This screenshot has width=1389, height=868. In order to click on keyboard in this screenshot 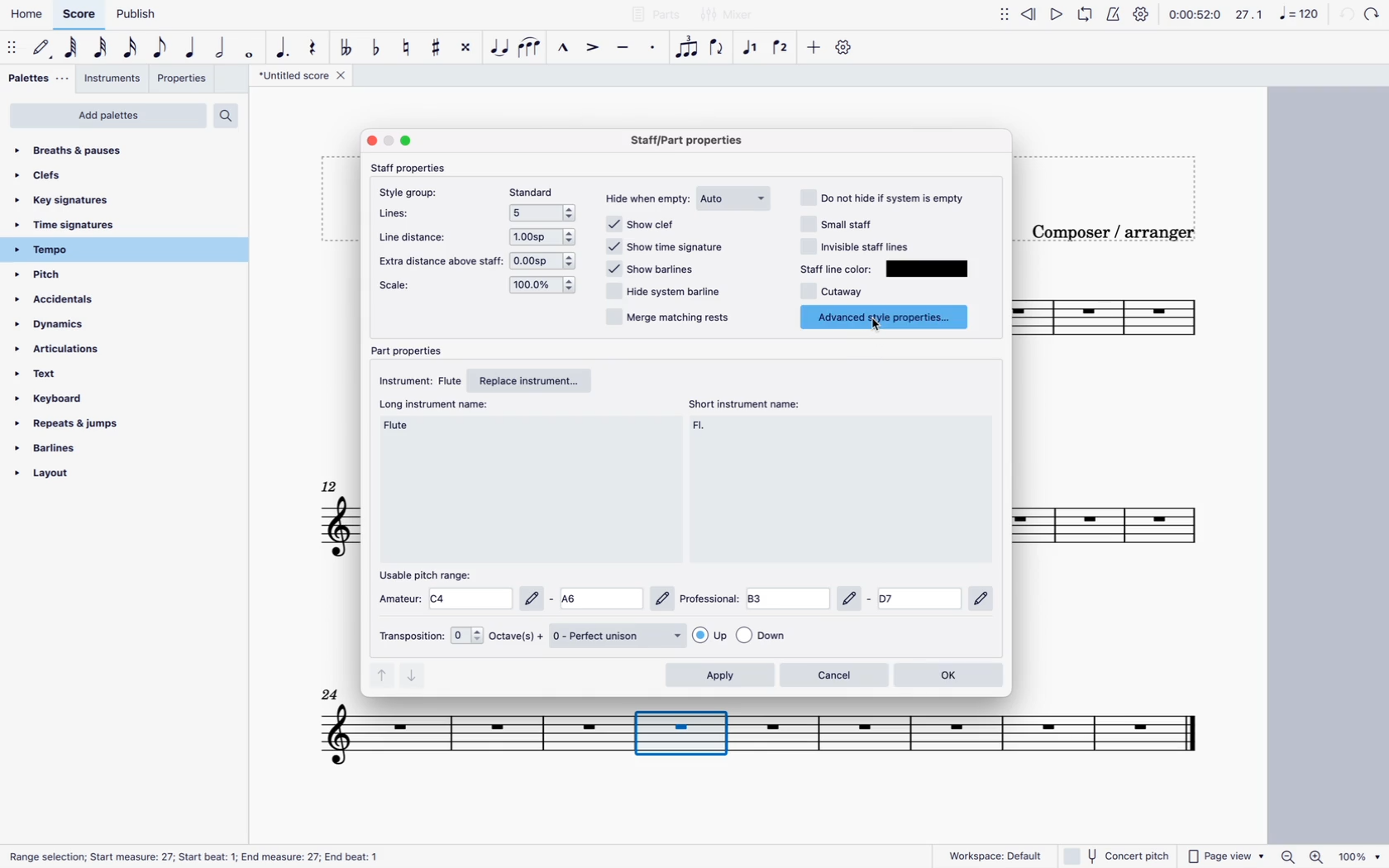, I will do `click(82, 399)`.